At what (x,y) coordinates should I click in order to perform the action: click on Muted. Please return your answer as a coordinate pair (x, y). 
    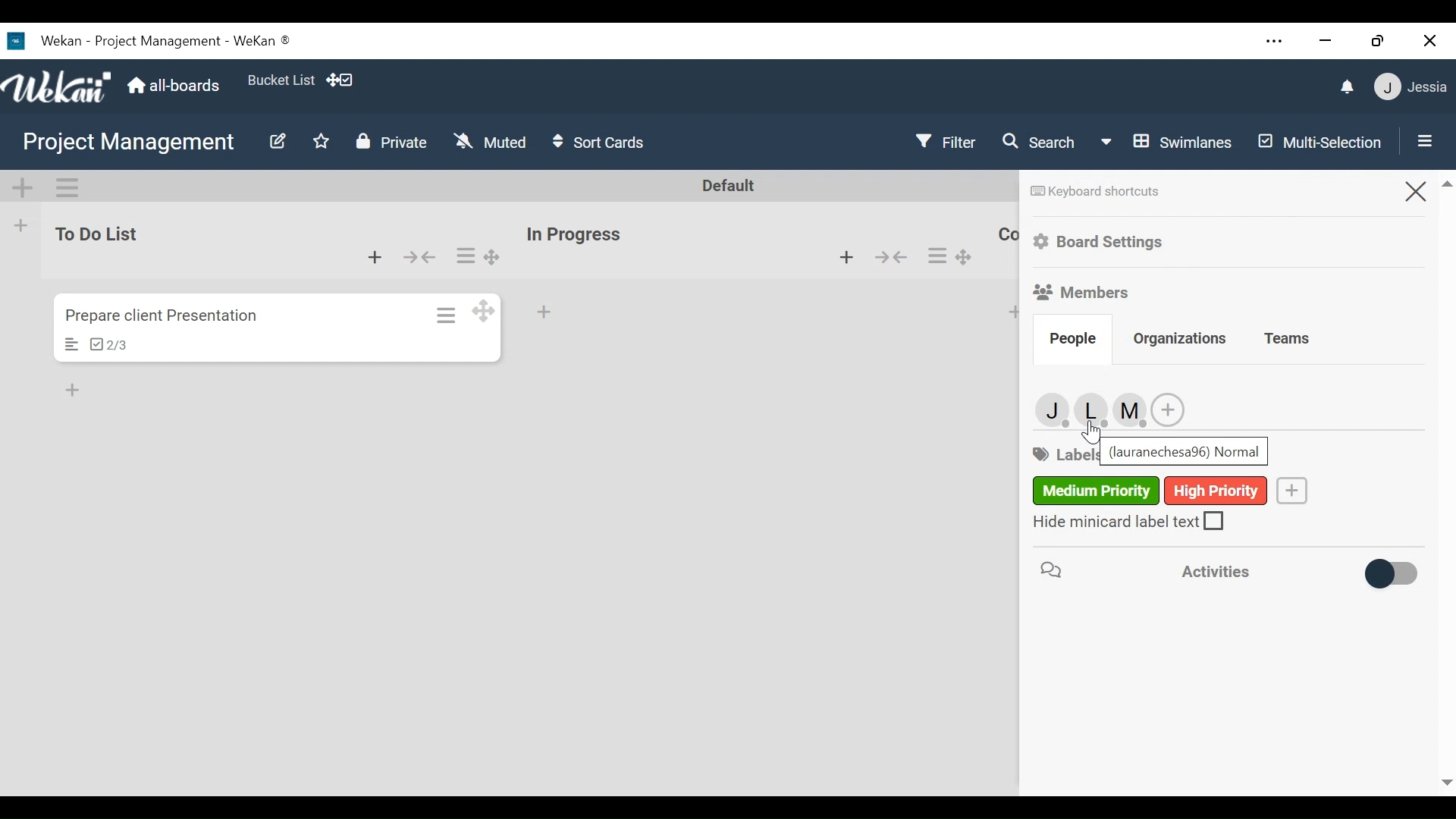
    Looking at the image, I should click on (490, 141).